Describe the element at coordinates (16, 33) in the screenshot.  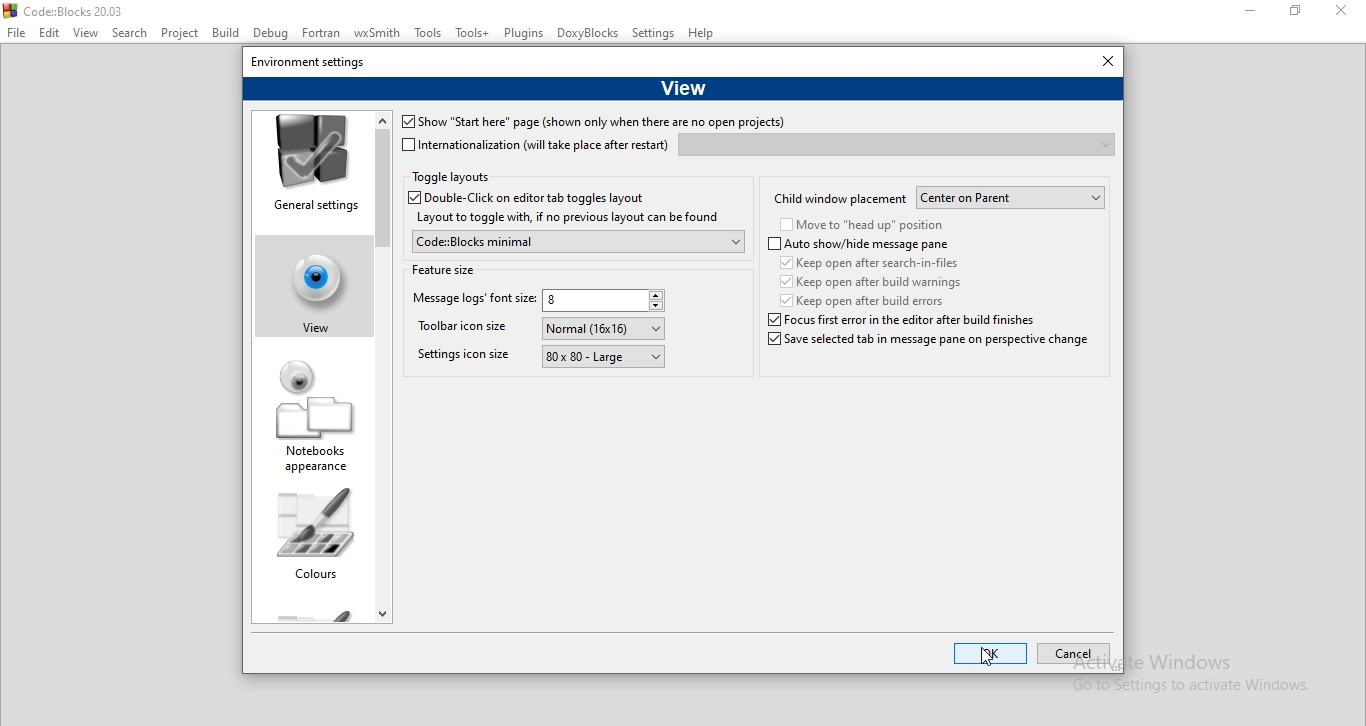
I see `File ` at that location.